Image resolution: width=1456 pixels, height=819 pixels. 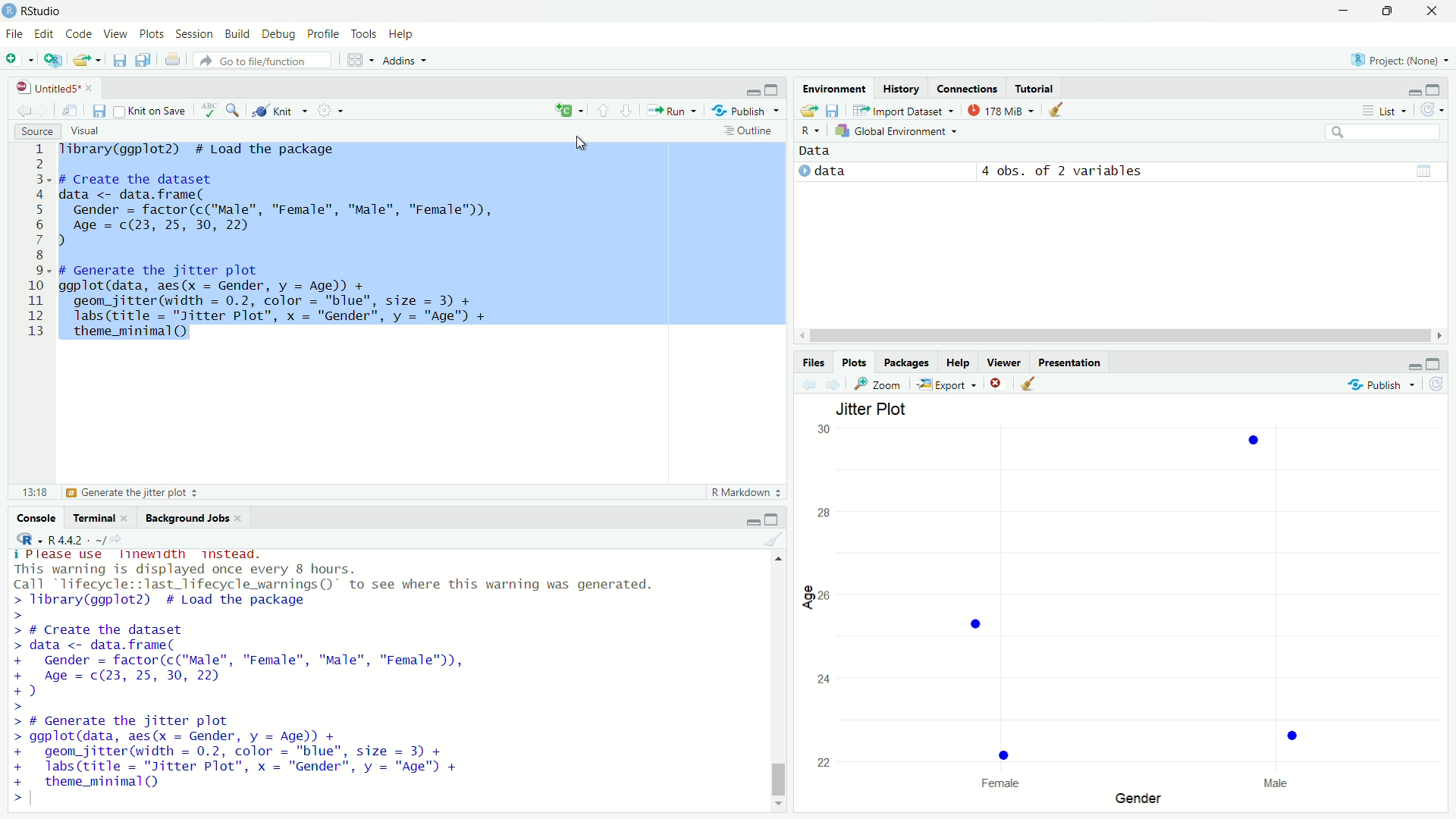 I want to click on source, so click(x=30, y=130).